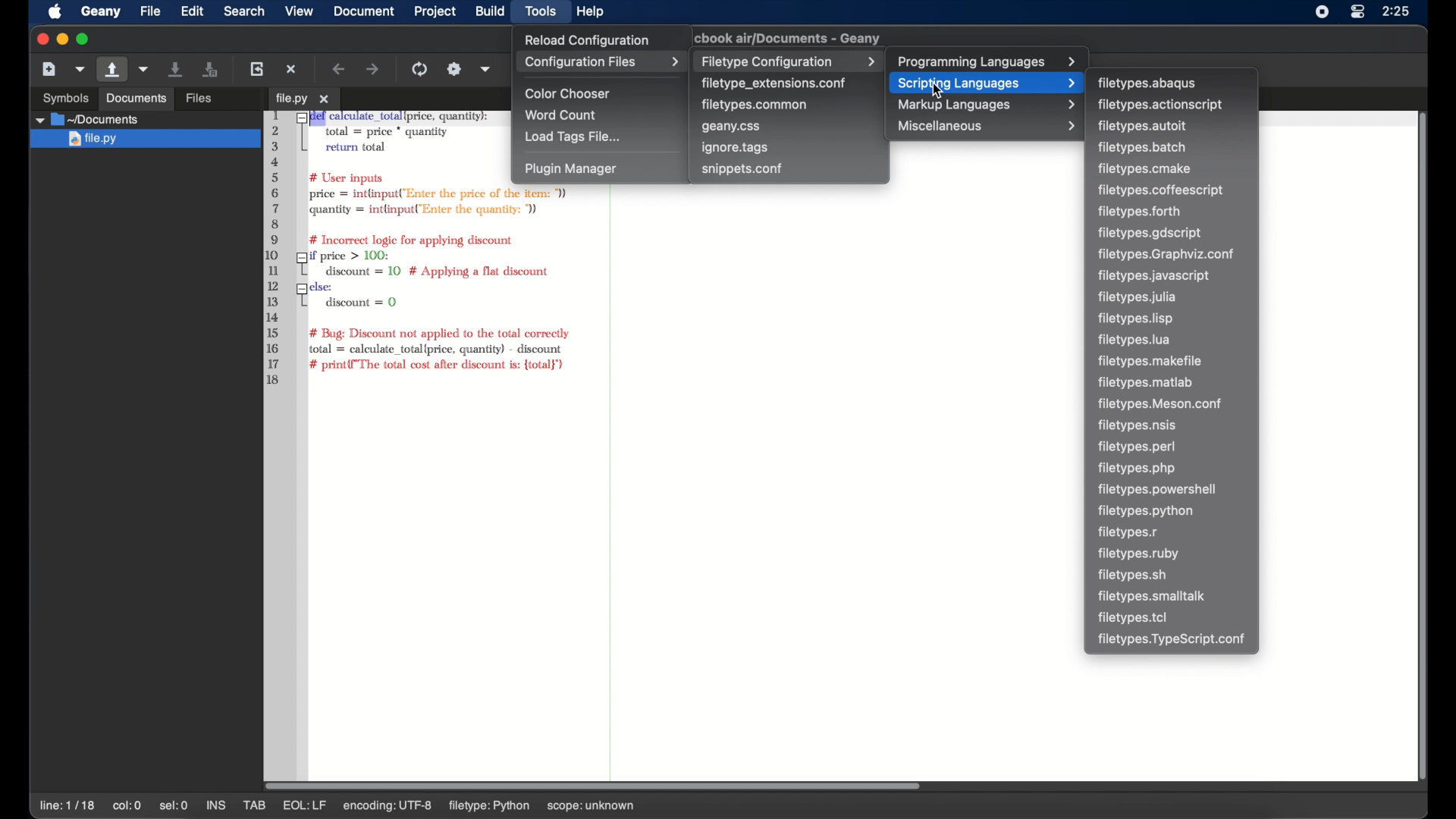 The width and height of the screenshot is (1456, 819). What do you see at coordinates (1323, 11) in the screenshot?
I see `screen recorder icon` at bounding box center [1323, 11].